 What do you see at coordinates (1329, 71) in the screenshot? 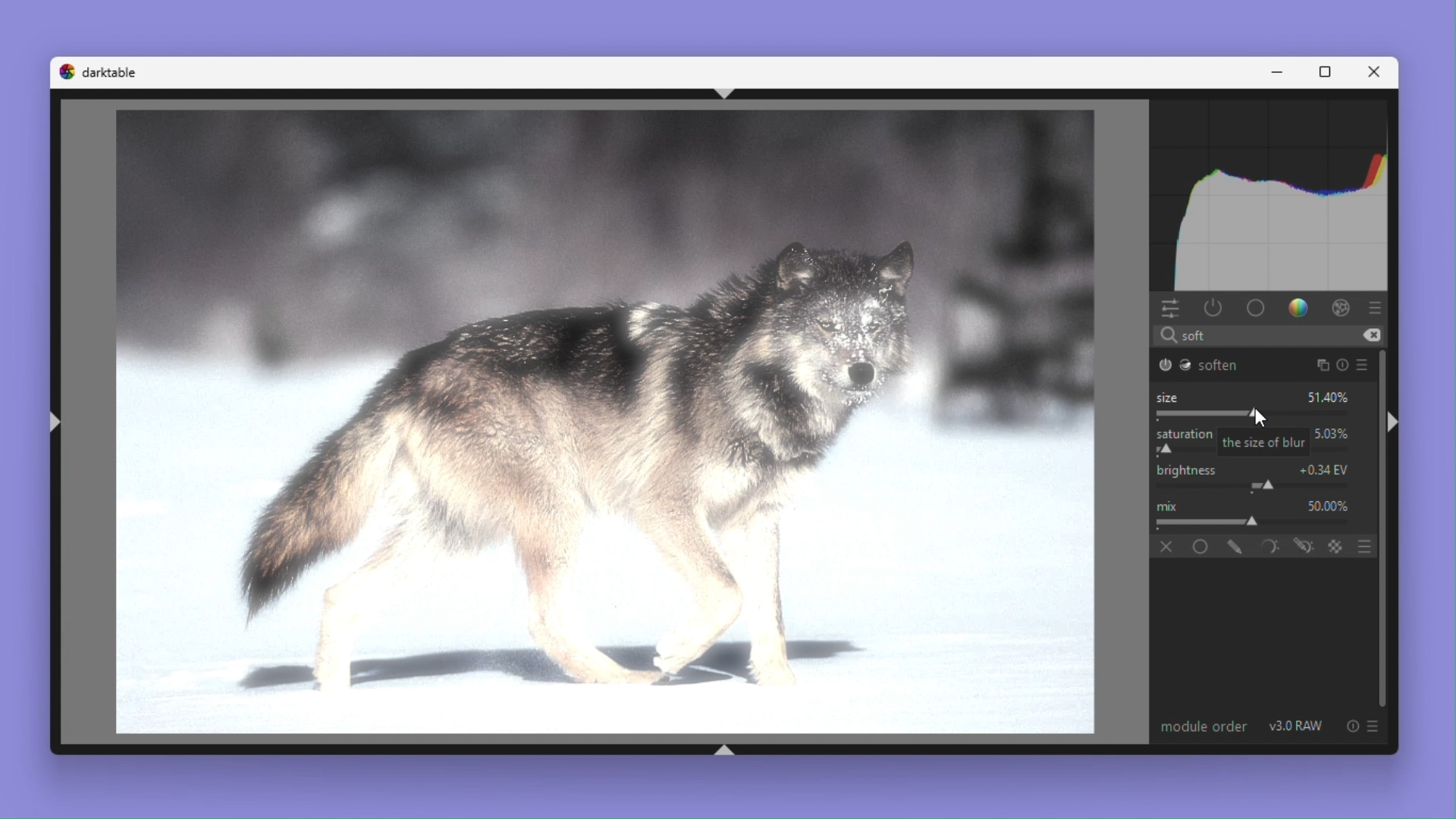
I see `Maximize` at bounding box center [1329, 71].